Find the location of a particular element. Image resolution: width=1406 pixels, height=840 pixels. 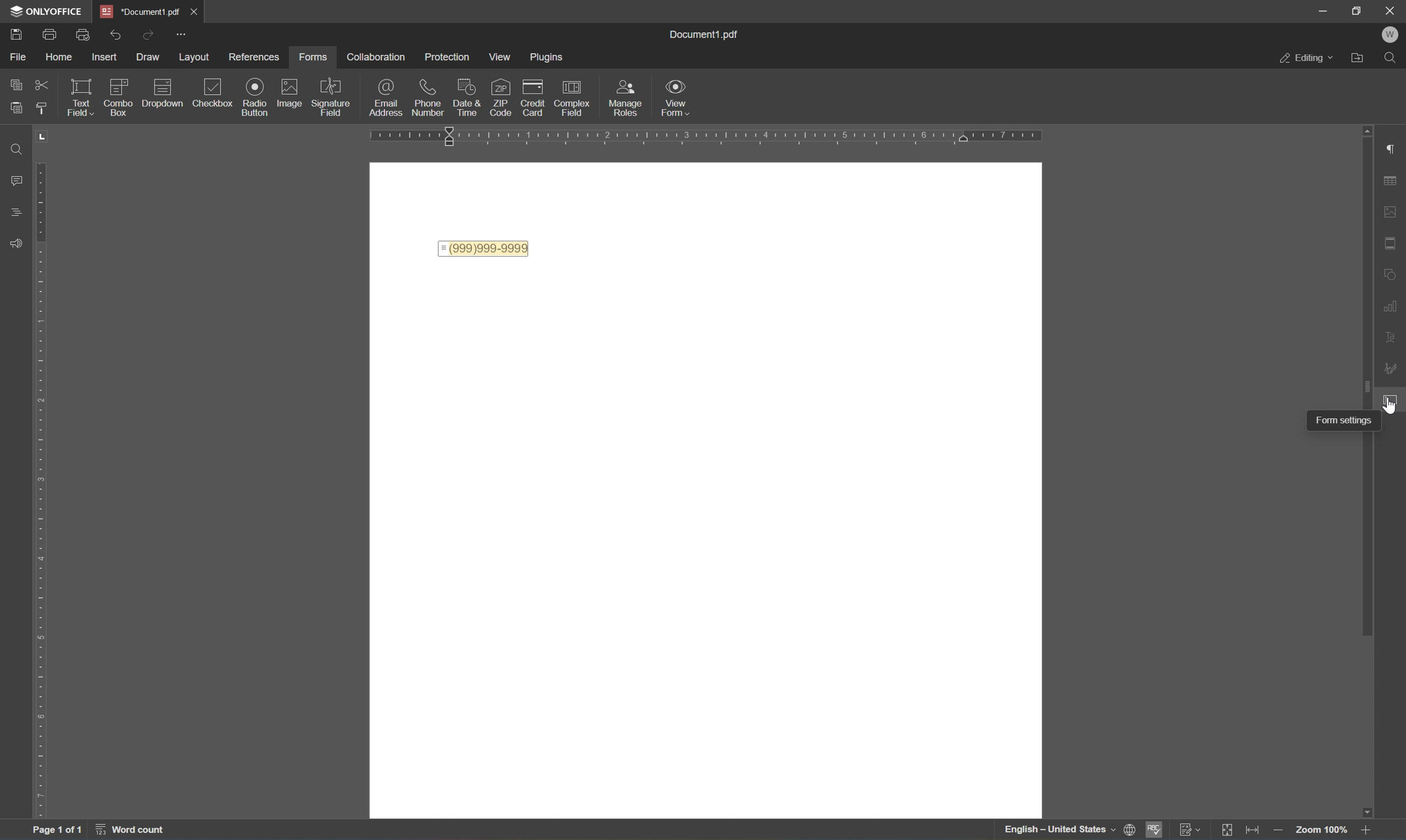

cursor is located at coordinates (1394, 404).